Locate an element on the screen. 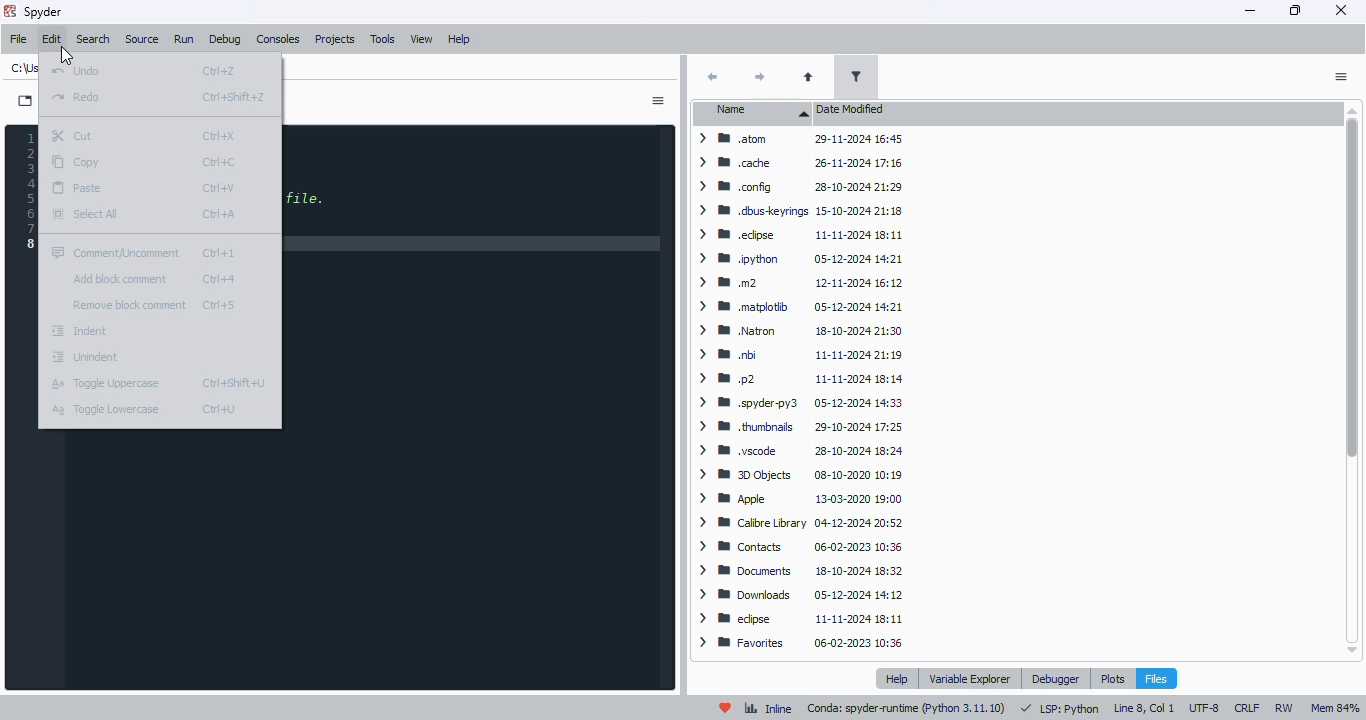  shortcut for redo is located at coordinates (233, 98).